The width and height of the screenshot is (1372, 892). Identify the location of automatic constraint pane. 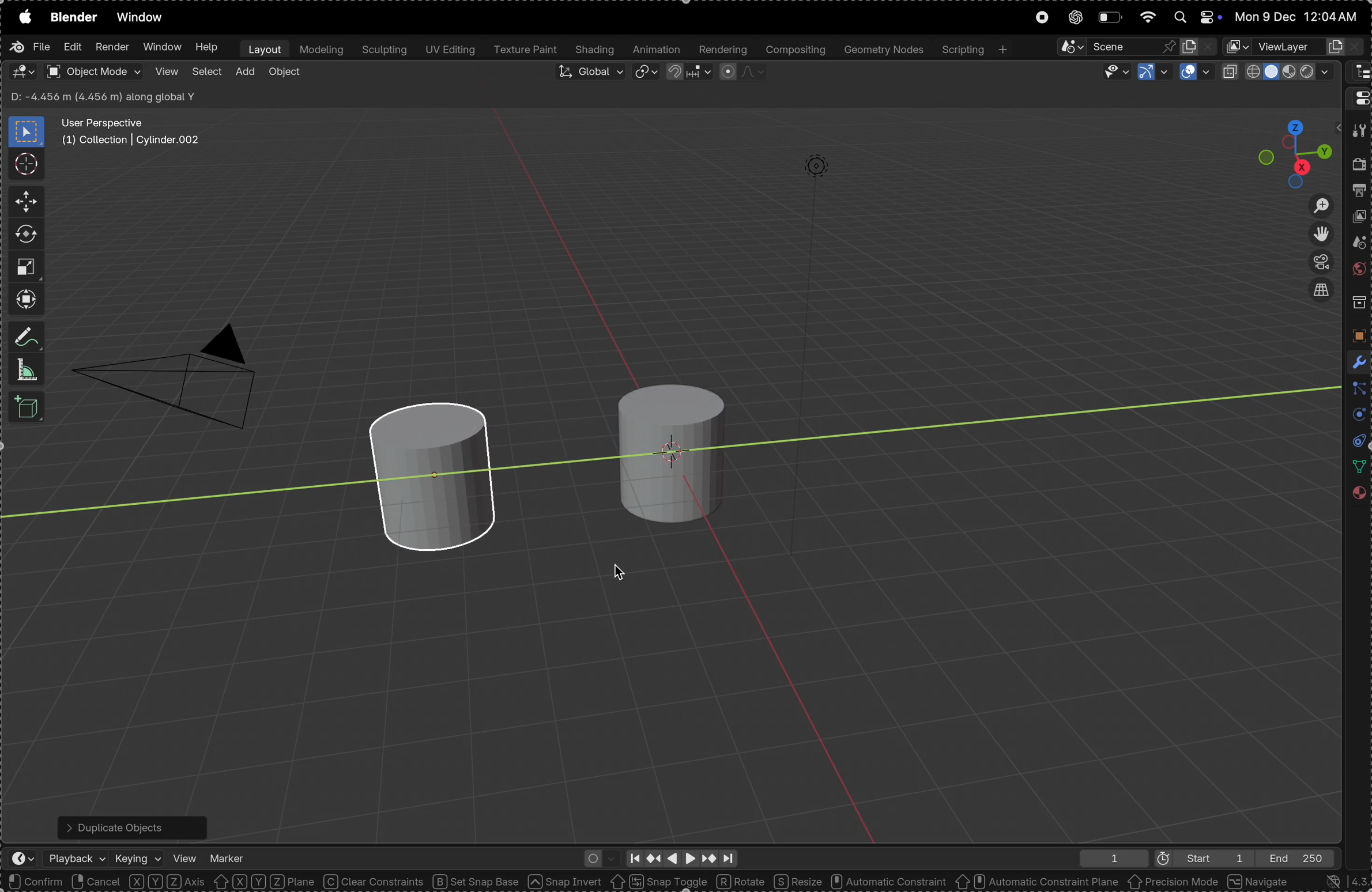
(1036, 882).